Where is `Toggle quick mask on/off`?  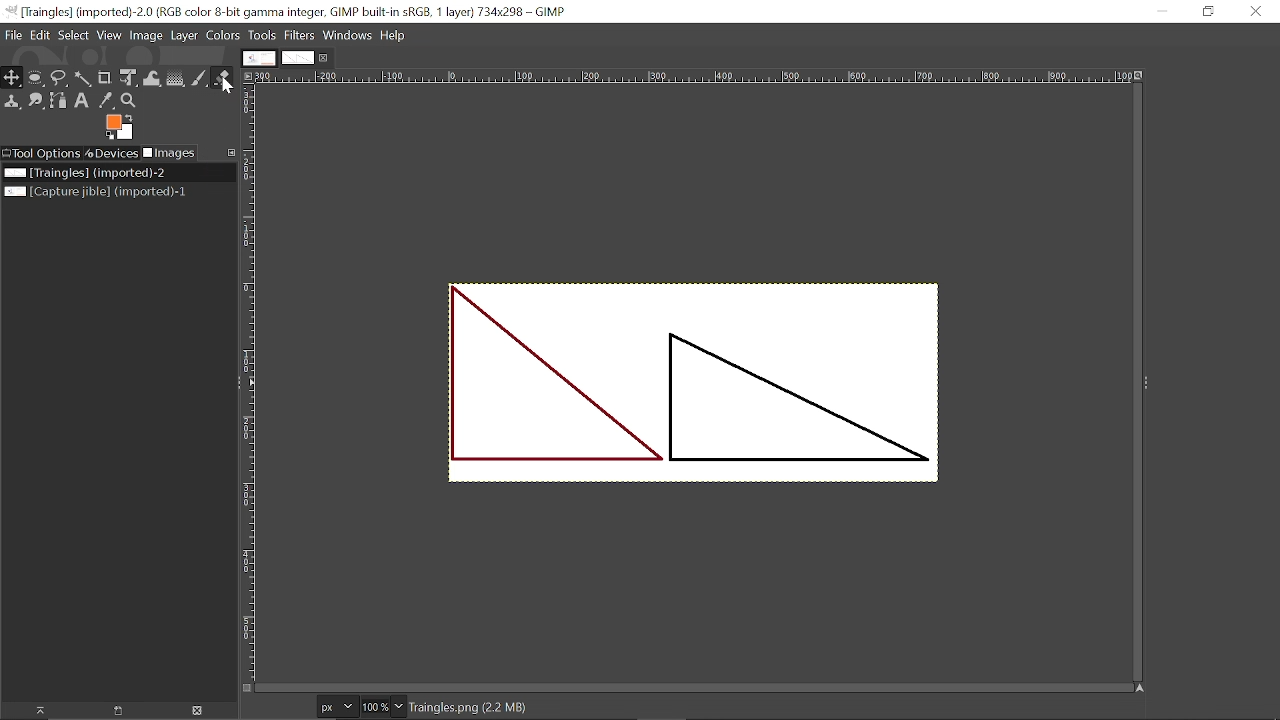
Toggle quick mask on/off is located at coordinates (247, 688).